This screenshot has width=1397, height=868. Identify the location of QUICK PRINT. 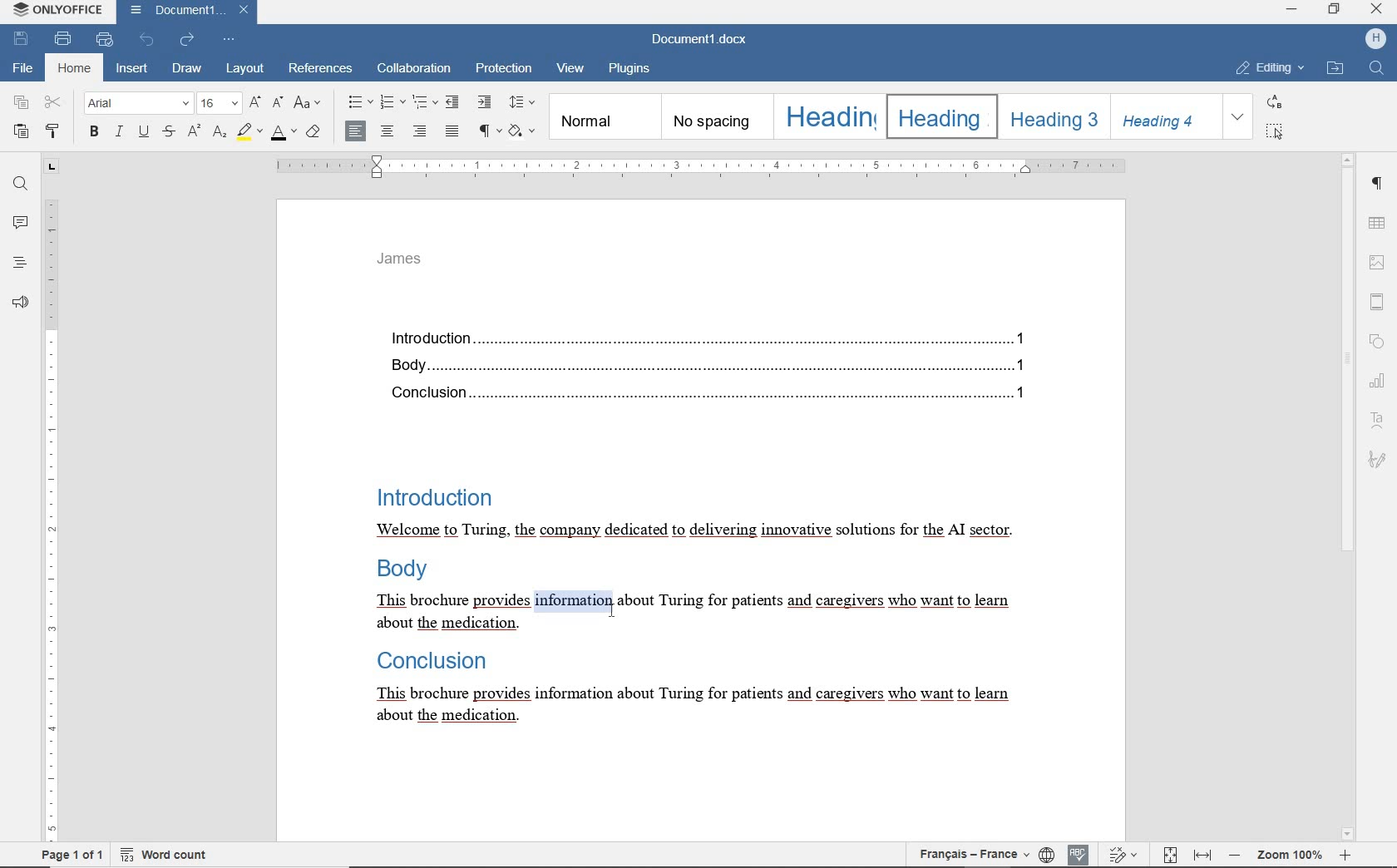
(106, 40).